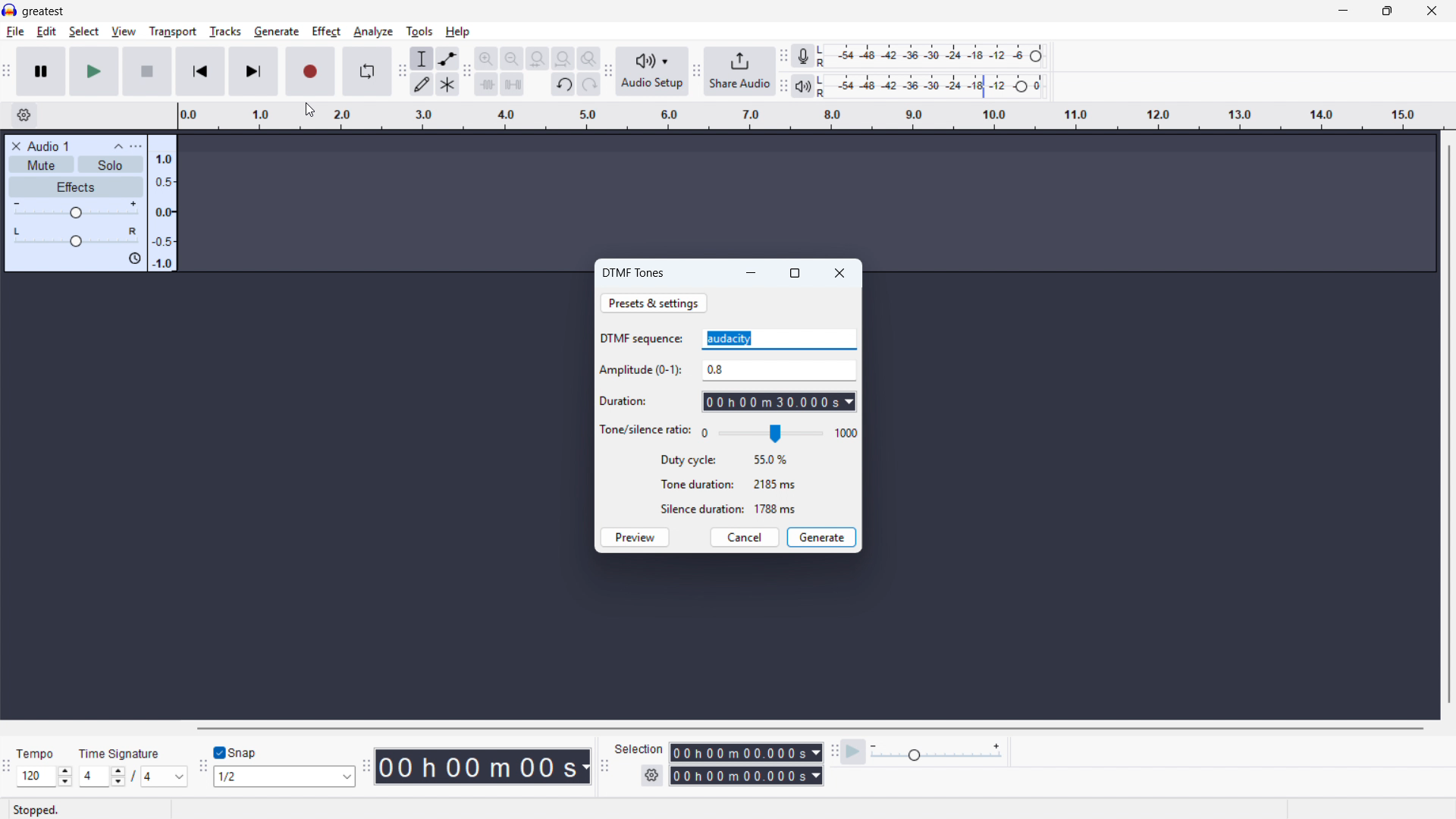  Describe the element at coordinates (935, 86) in the screenshot. I see `playback level` at that location.